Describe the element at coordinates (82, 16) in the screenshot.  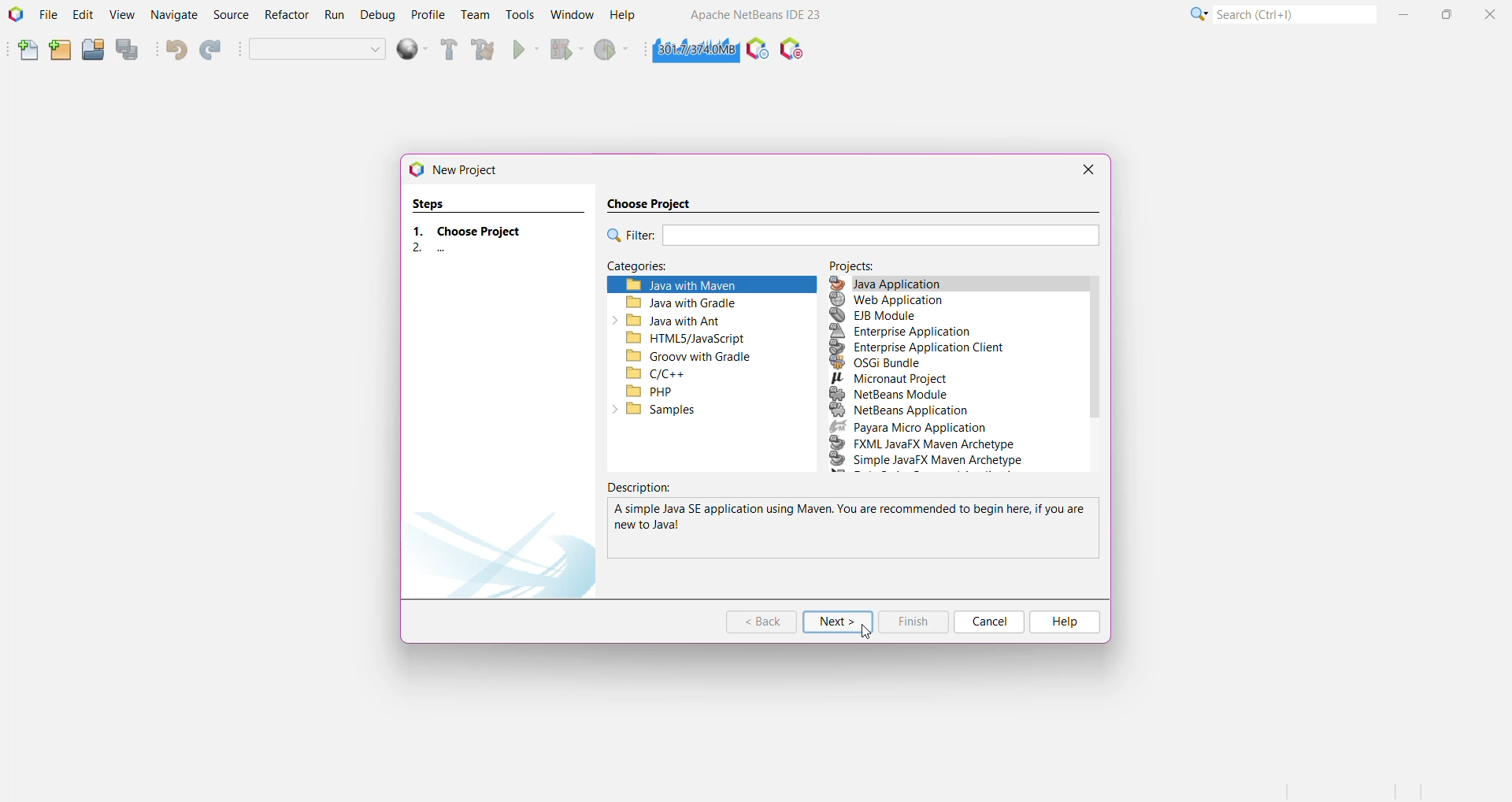
I see `Edit` at that location.